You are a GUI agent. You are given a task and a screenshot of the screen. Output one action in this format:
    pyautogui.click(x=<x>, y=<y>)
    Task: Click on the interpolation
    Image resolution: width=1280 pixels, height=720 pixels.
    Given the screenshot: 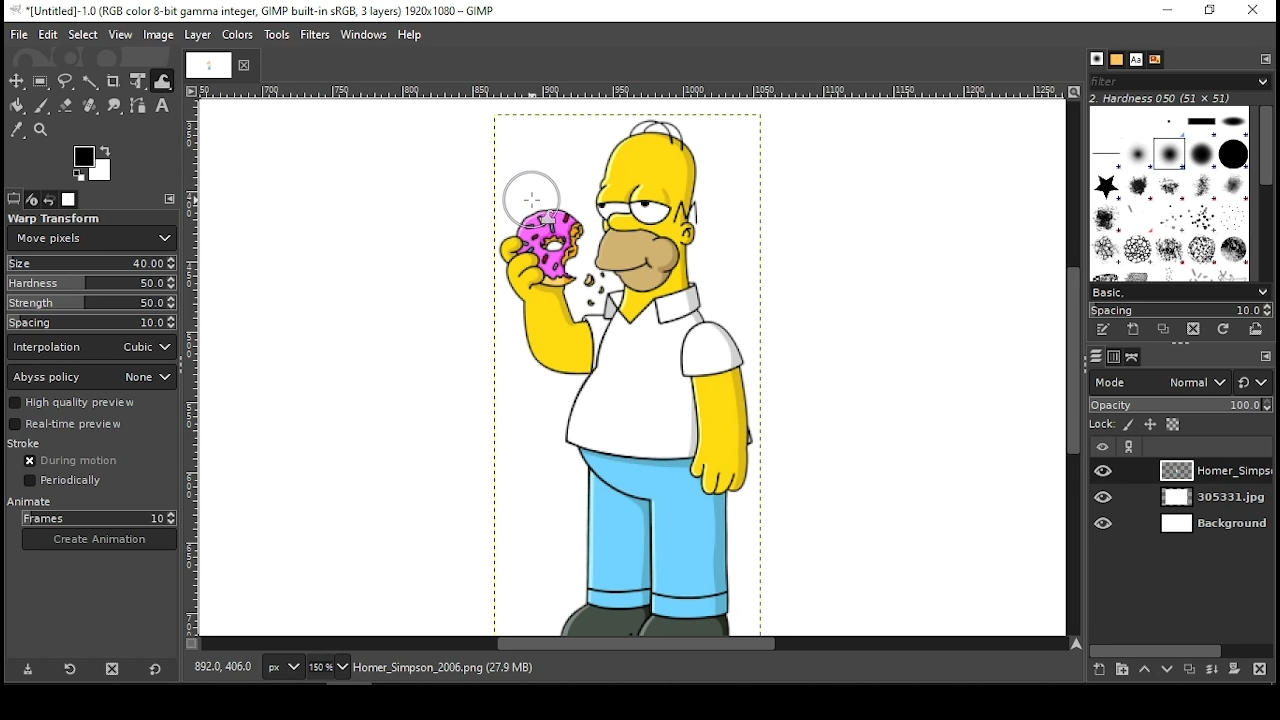 What is the action you would take?
    pyautogui.click(x=93, y=346)
    